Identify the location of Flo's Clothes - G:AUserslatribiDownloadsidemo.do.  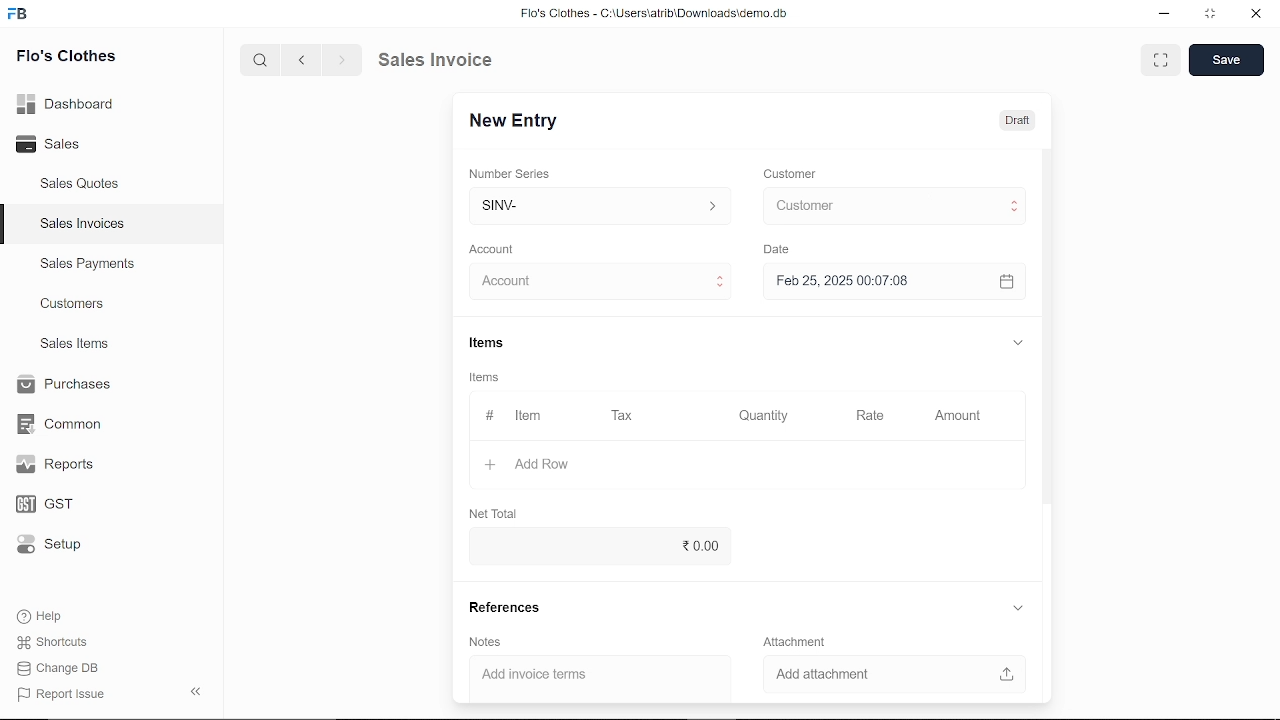
(651, 13).